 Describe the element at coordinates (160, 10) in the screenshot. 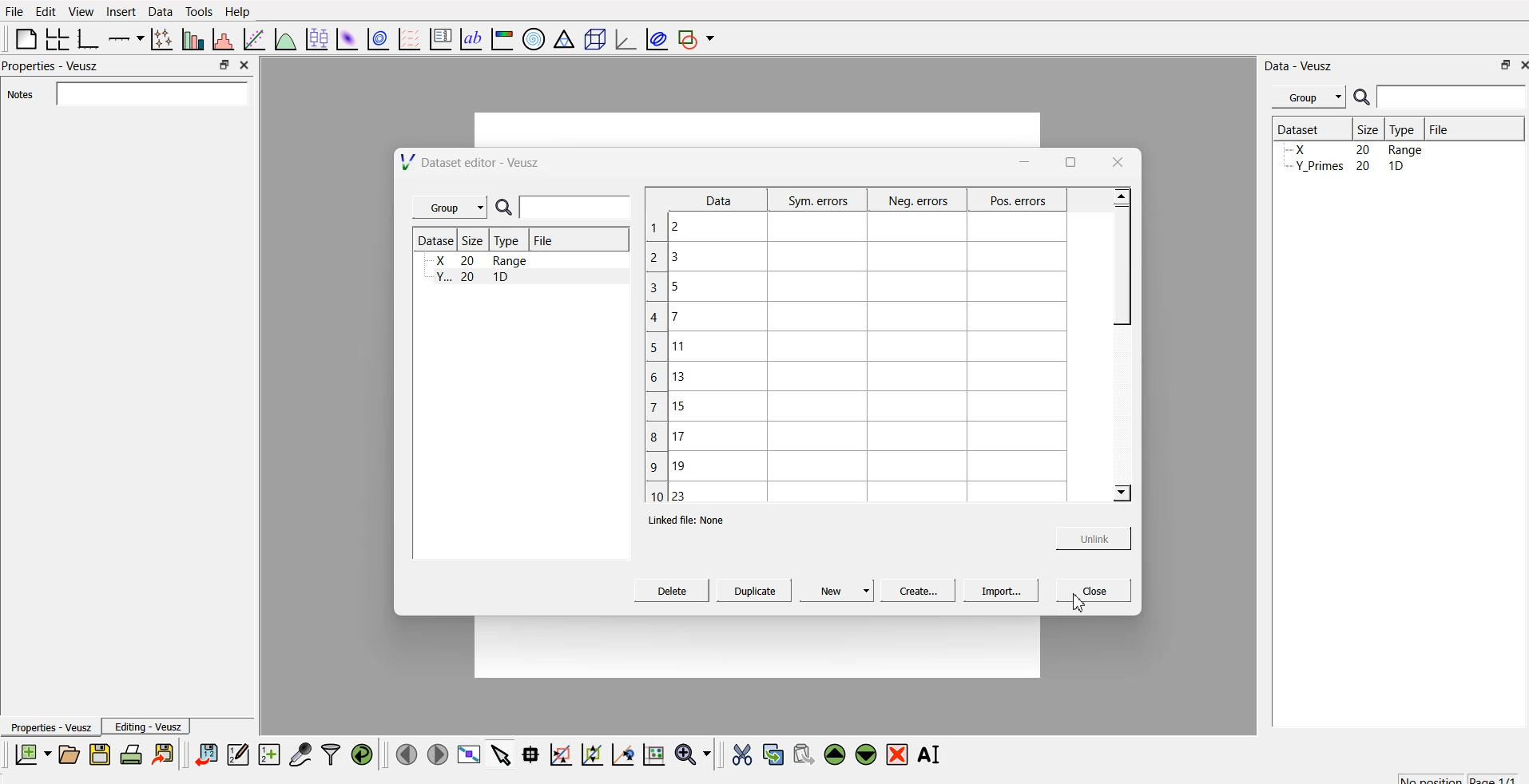

I see `Data` at that location.